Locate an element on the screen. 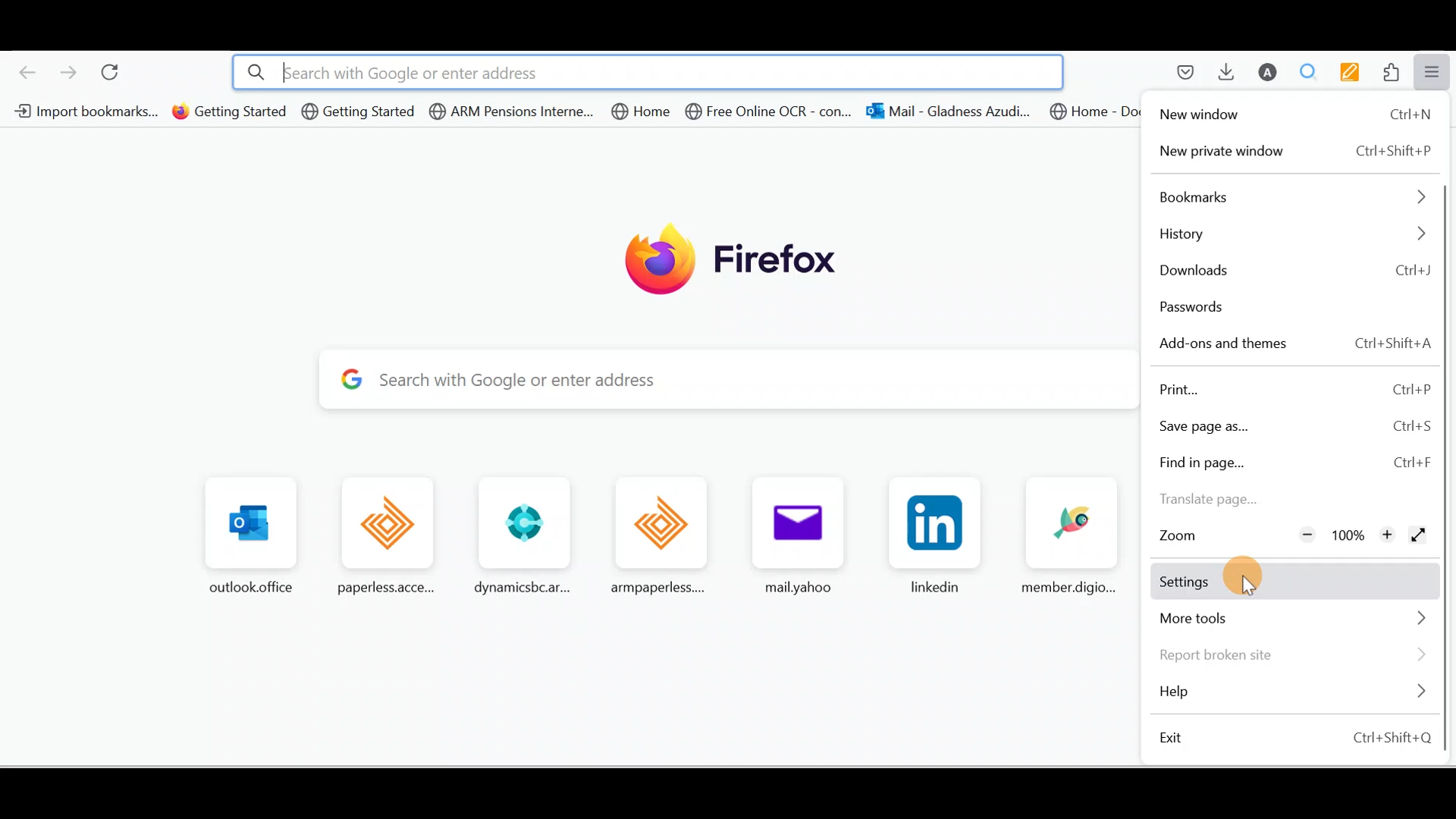 The image size is (1456, 819). Find in page                Ctrl+P is located at coordinates (1291, 461).